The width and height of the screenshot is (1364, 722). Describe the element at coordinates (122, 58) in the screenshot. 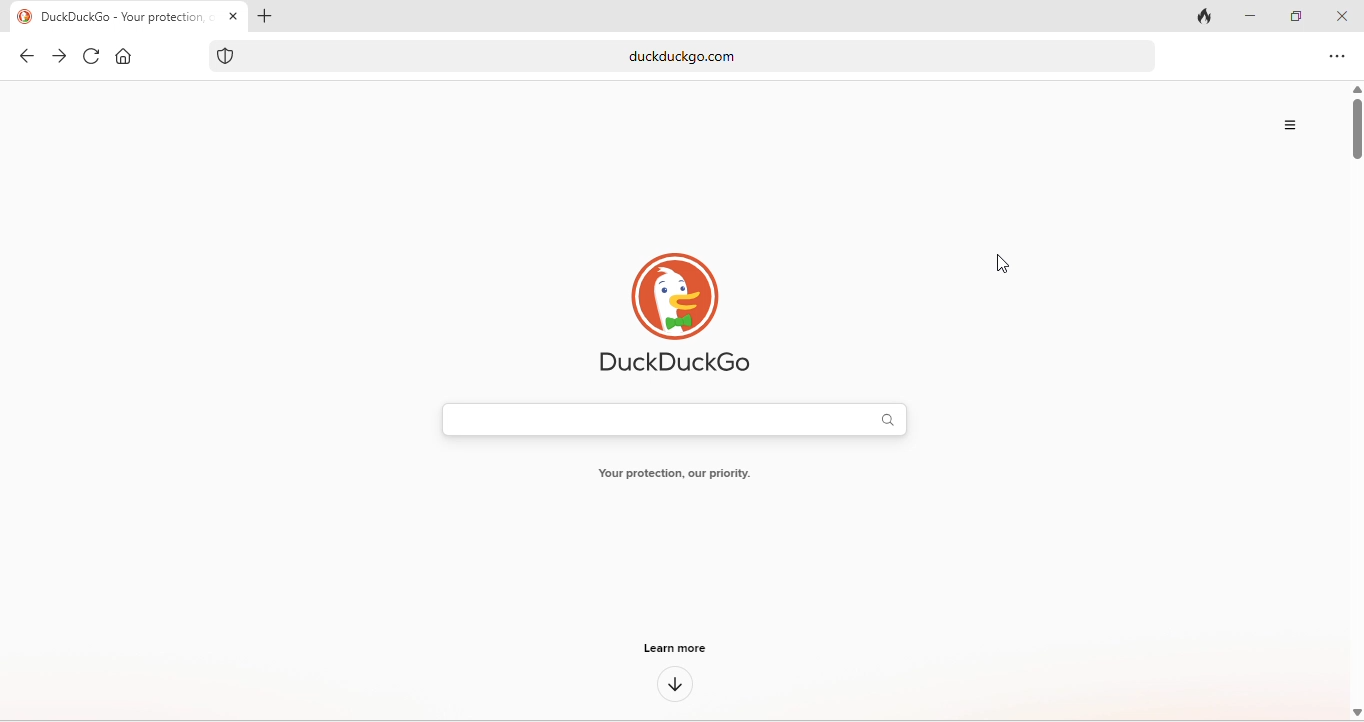

I see `home` at that location.